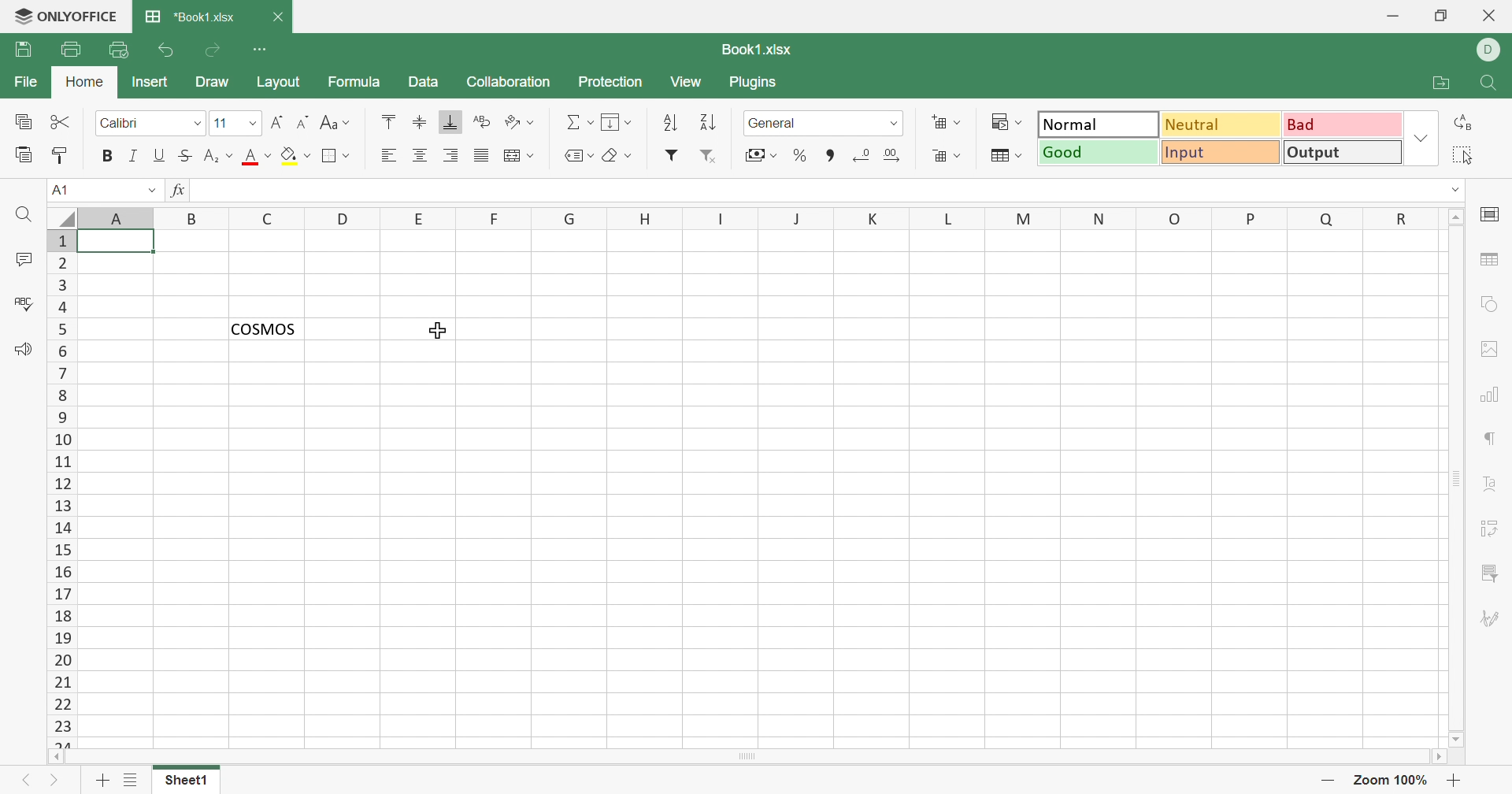 This screenshot has height=794, width=1512. What do you see at coordinates (946, 123) in the screenshot?
I see `Add cells` at bounding box center [946, 123].